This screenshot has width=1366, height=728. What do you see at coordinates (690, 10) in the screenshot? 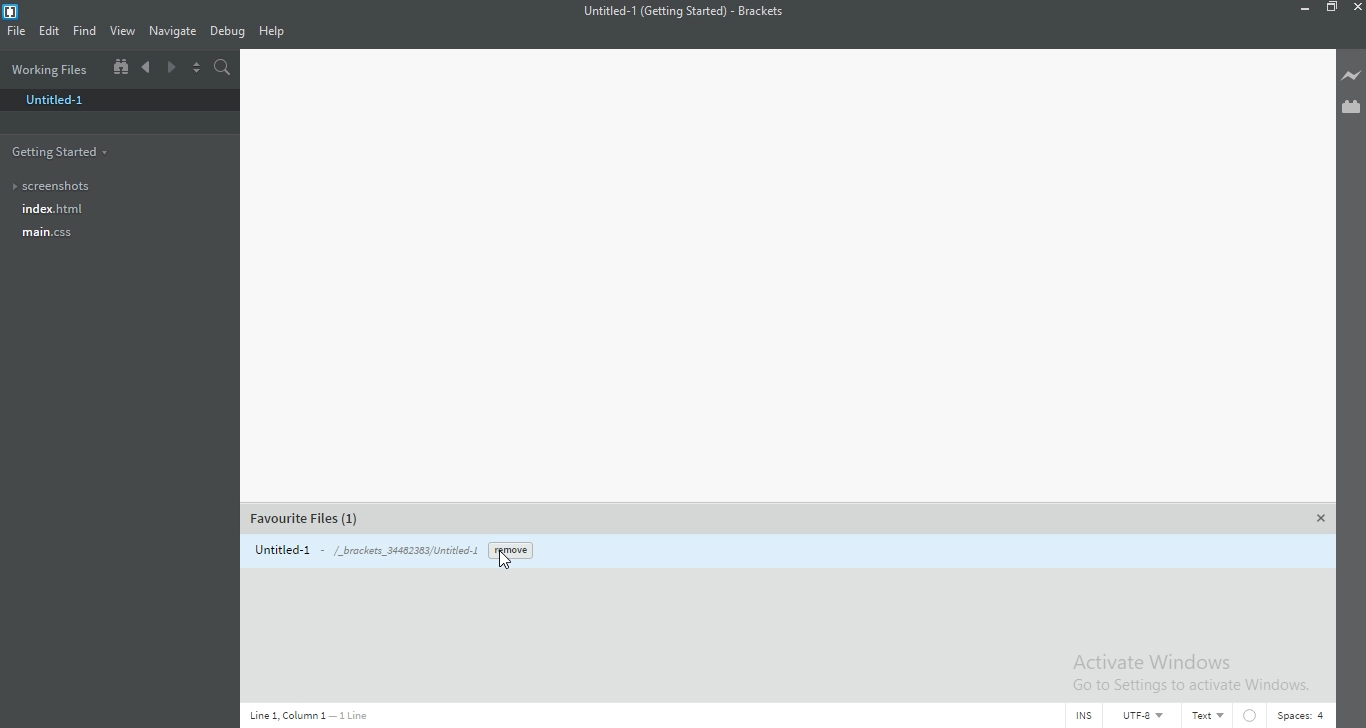
I see `file name` at bounding box center [690, 10].